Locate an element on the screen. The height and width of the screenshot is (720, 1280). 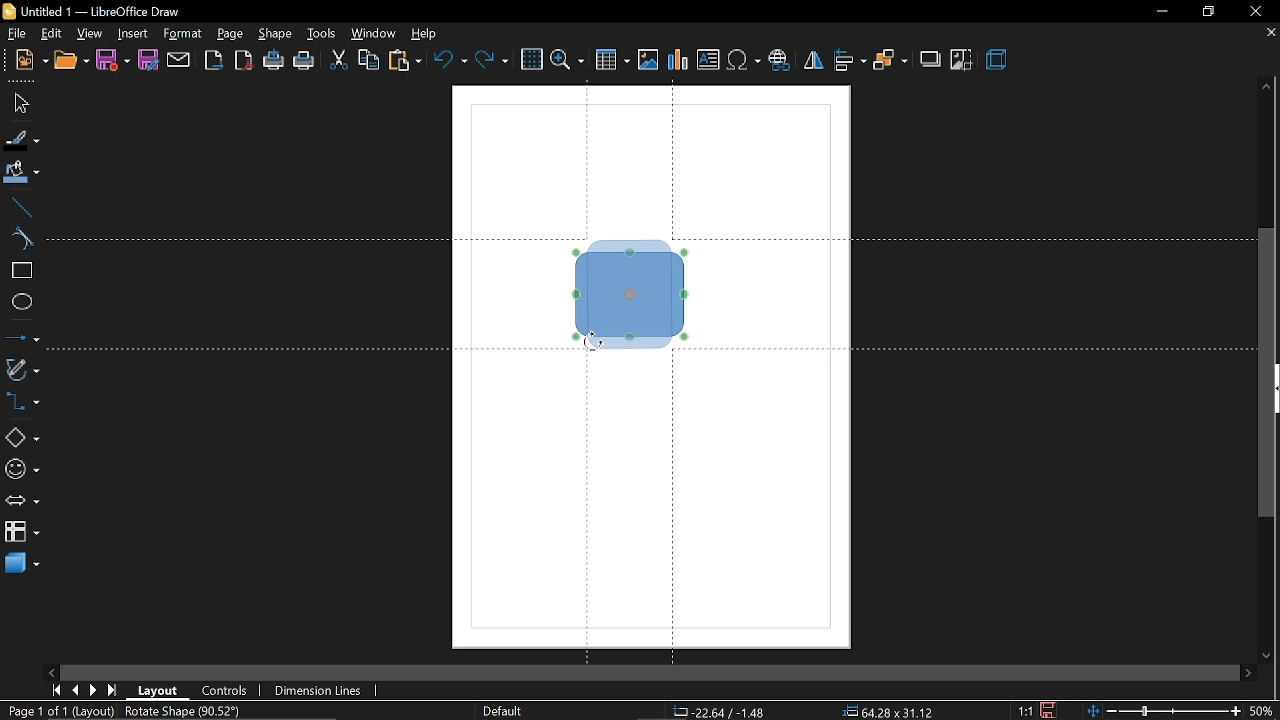
controls is located at coordinates (227, 689).